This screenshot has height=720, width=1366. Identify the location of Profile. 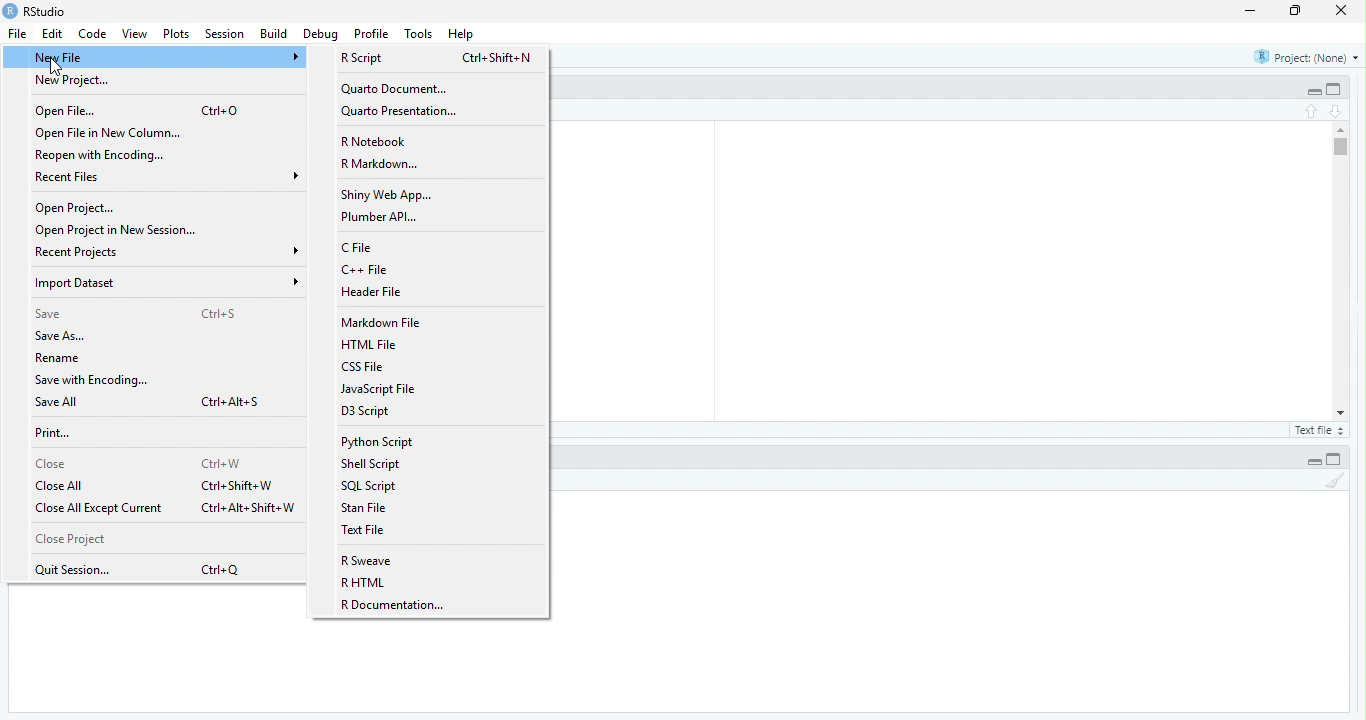
(373, 33).